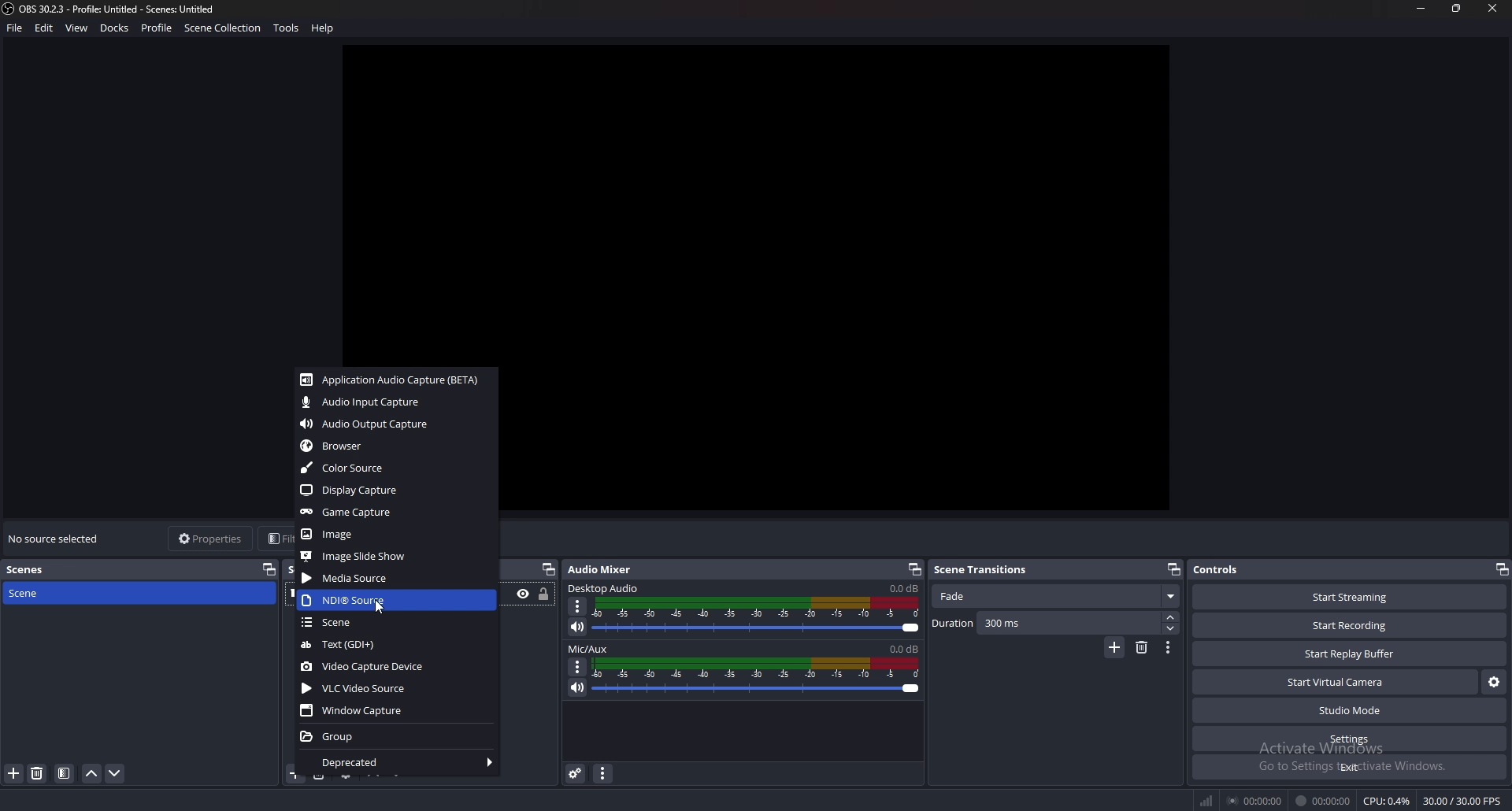 The height and width of the screenshot is (811, 1512). What do you see at coordinates (1167, 648) in the screenshot?
I see `transition properties` at bounding box center [1167, 648].